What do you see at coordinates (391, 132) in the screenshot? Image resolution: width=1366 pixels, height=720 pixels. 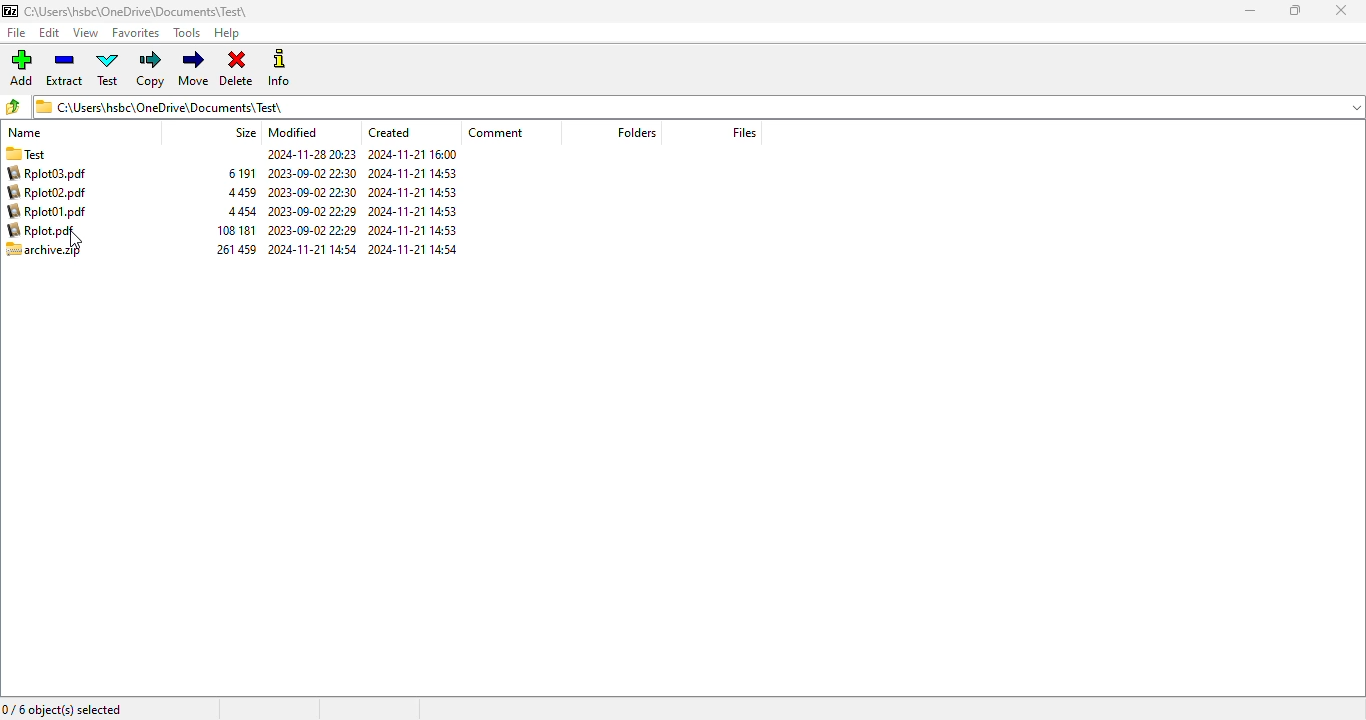 I see `created` at bounding box center [391, 132].